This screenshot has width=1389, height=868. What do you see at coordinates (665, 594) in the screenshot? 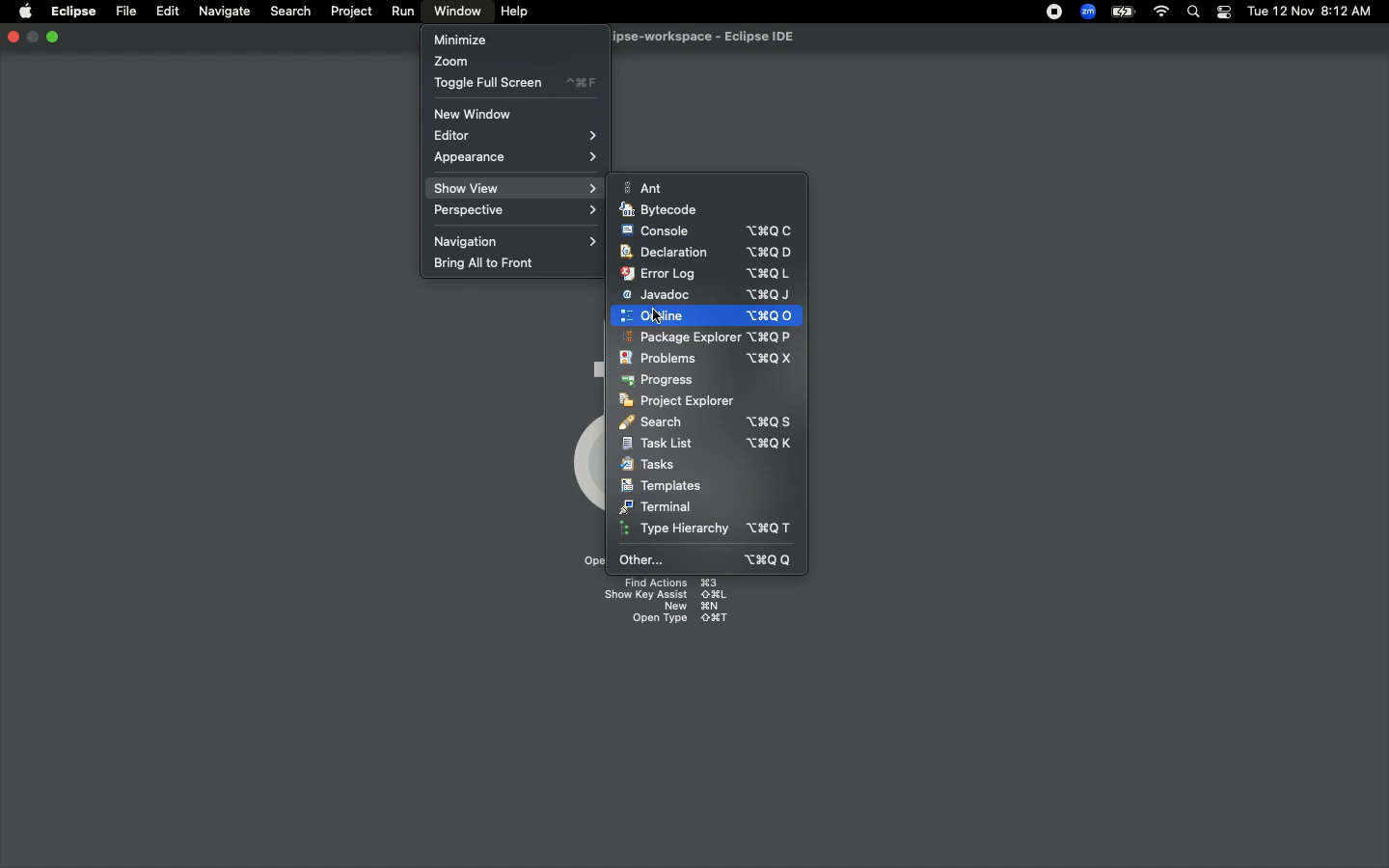
I see `Show key assist` at bounding box center [665, 594].